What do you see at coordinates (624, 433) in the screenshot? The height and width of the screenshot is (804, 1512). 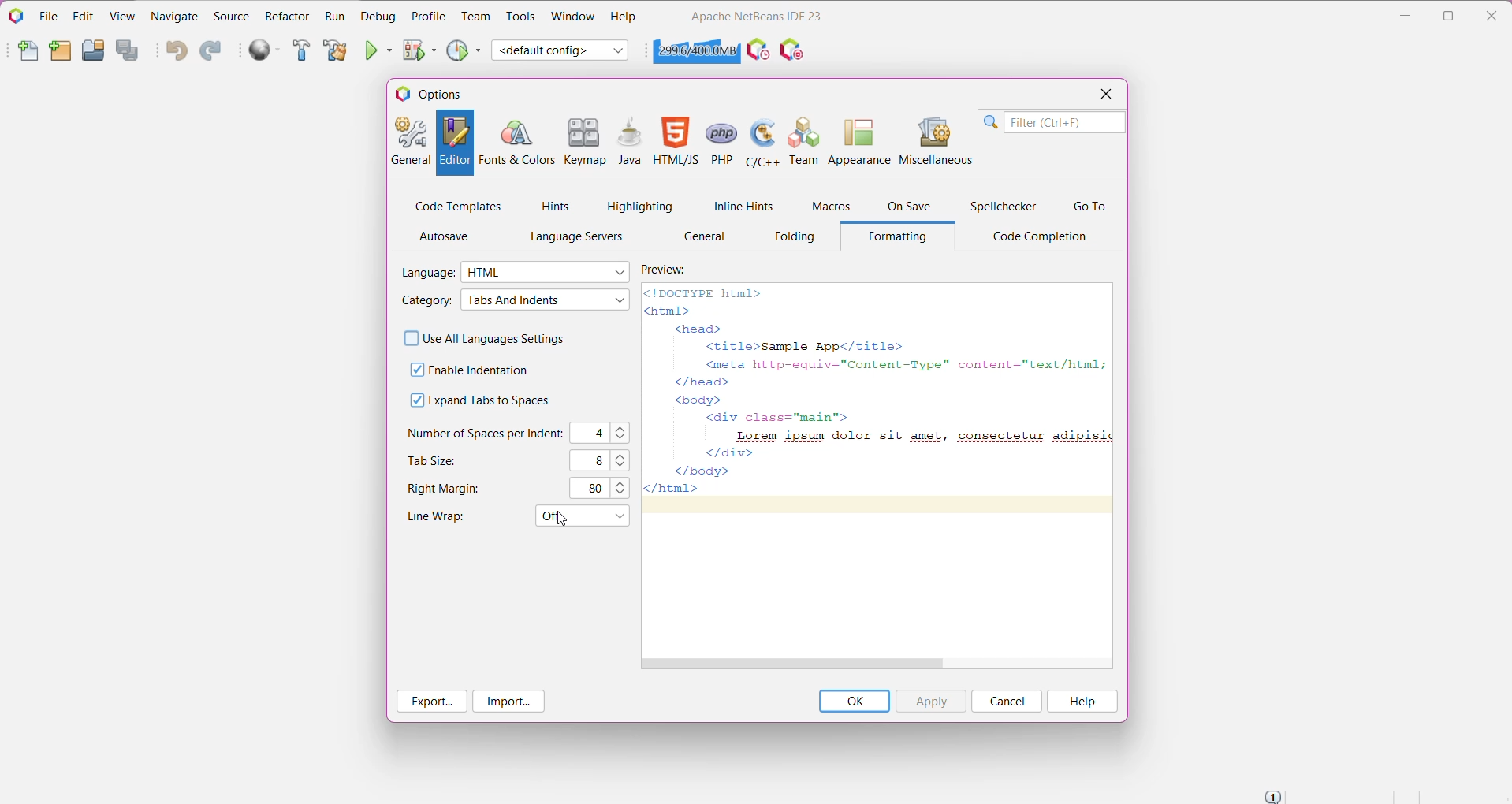 I see `Set the number of spaces per indent` at bounding box center [624, 433].